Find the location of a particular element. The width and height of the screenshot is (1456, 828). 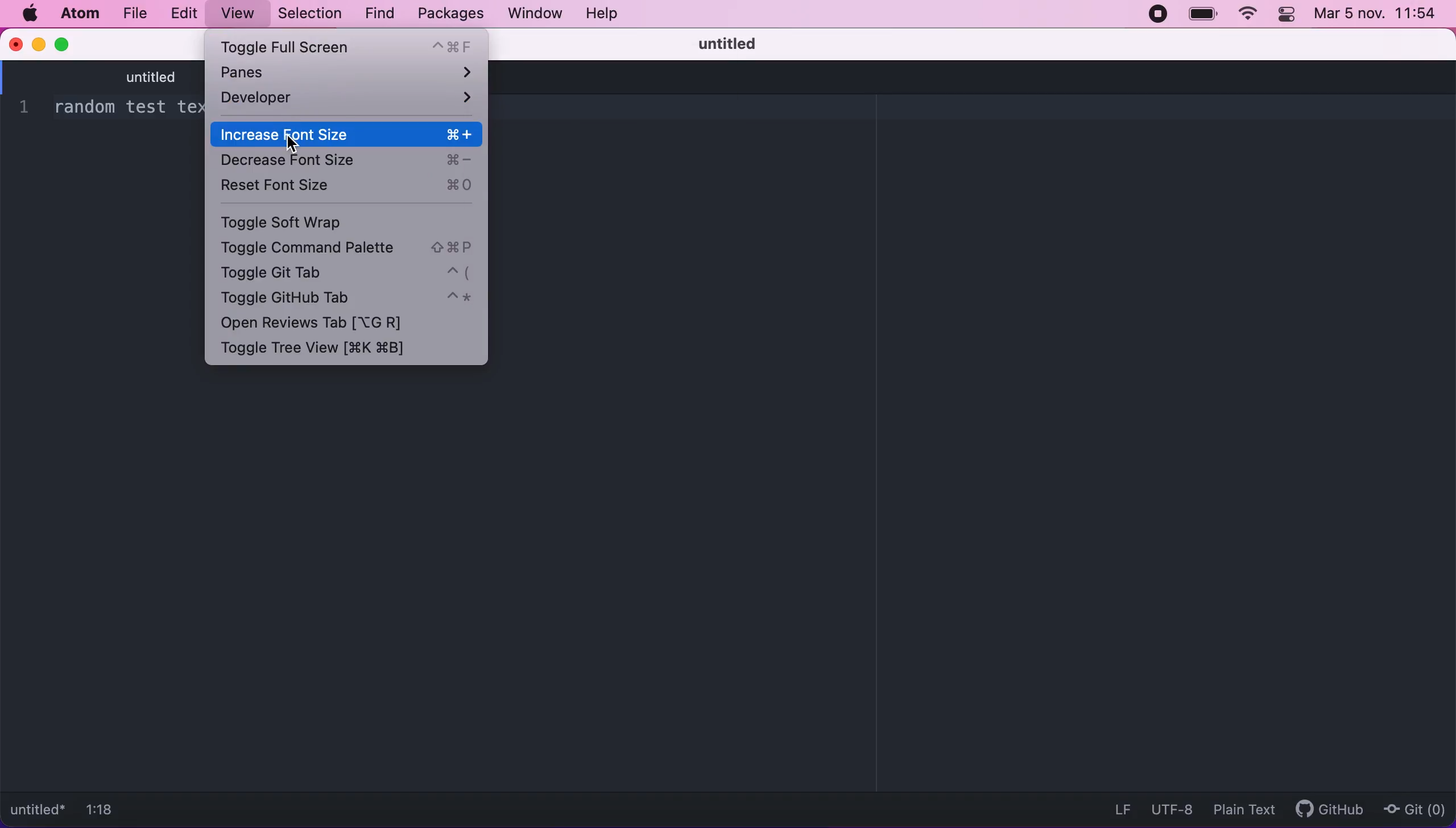

coordinates is located at coordinates (112, 812).